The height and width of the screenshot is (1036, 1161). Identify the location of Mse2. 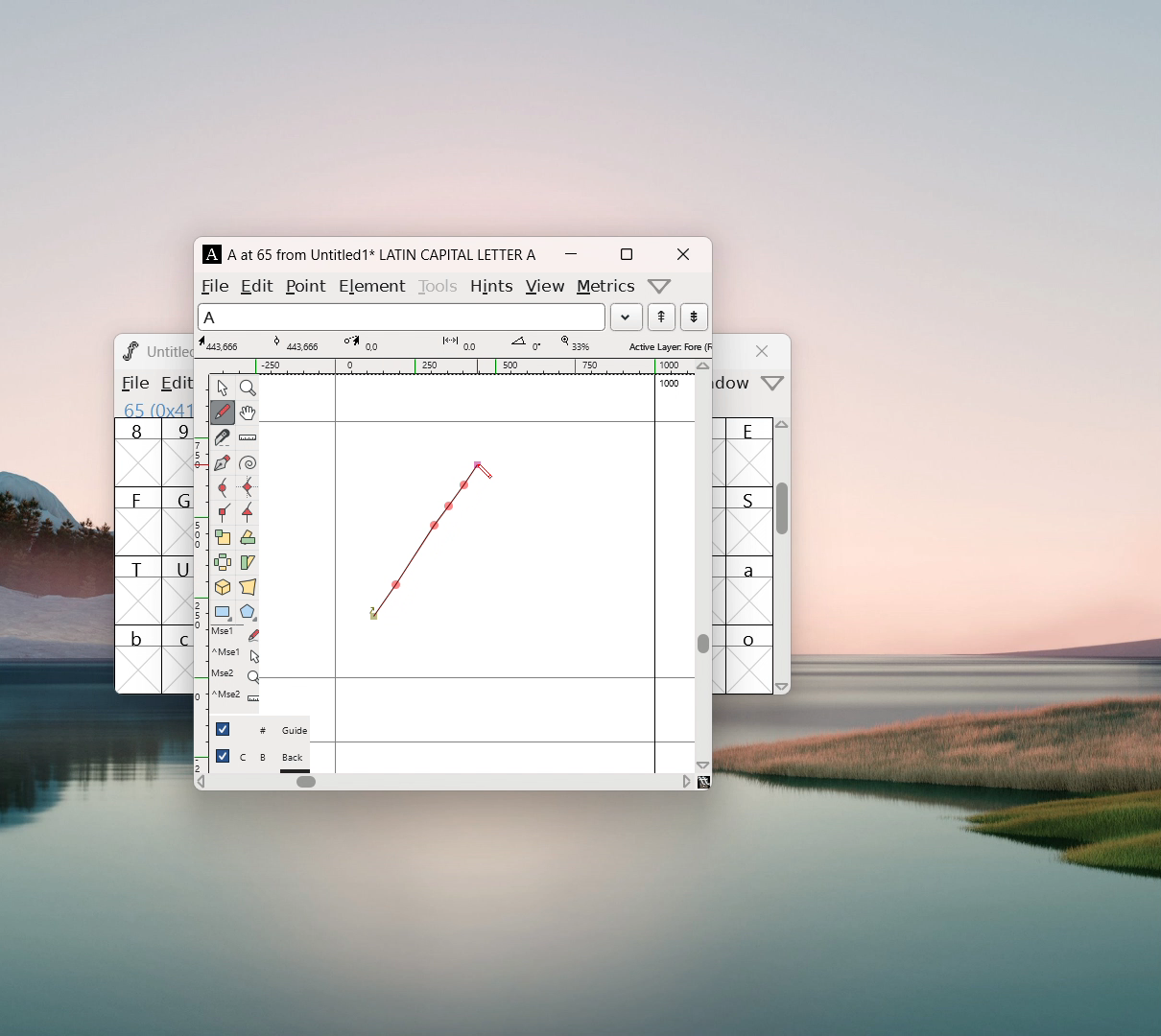
(235, 674).